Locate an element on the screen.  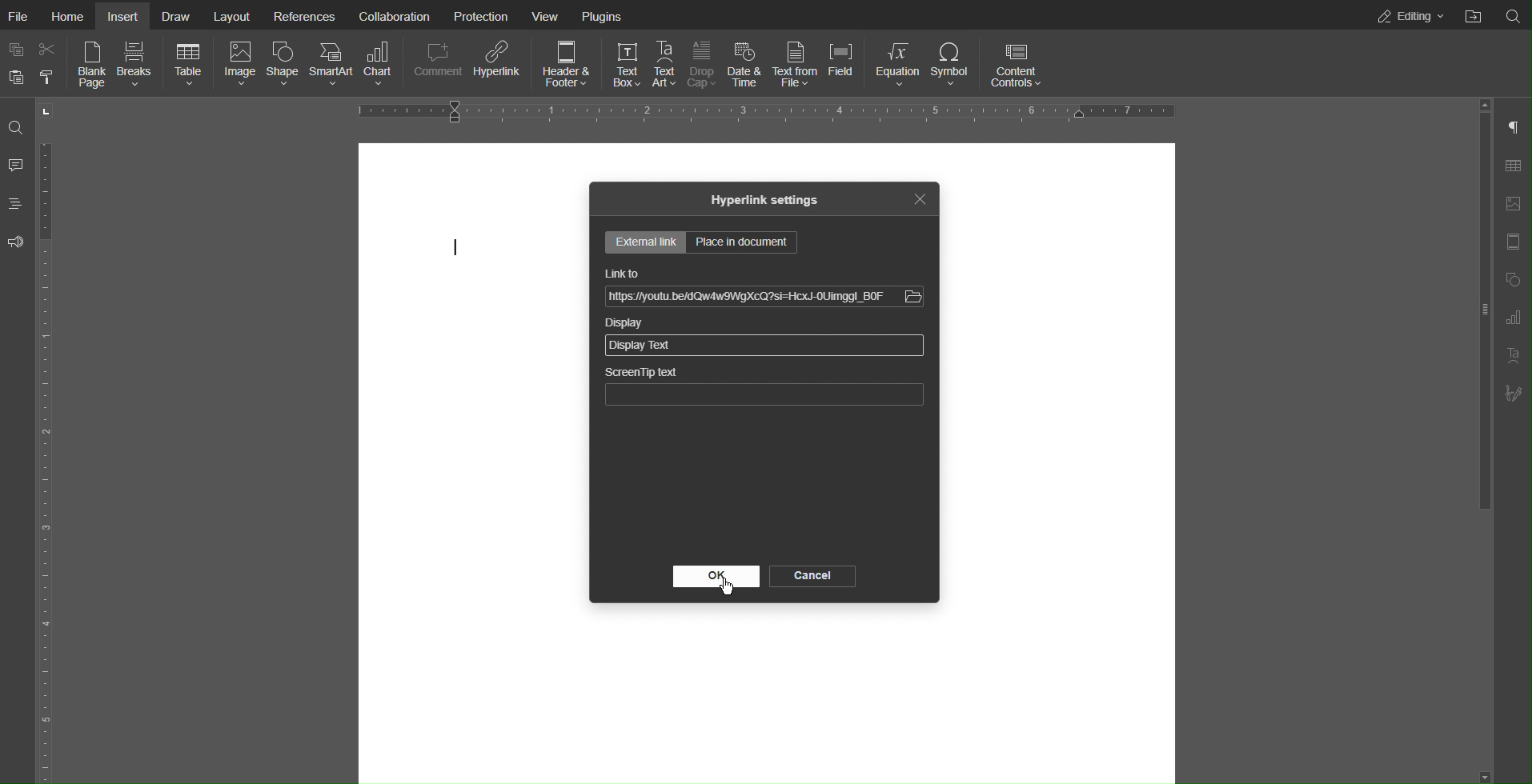
Vertical Ruler is located at coordinates (51, 460).